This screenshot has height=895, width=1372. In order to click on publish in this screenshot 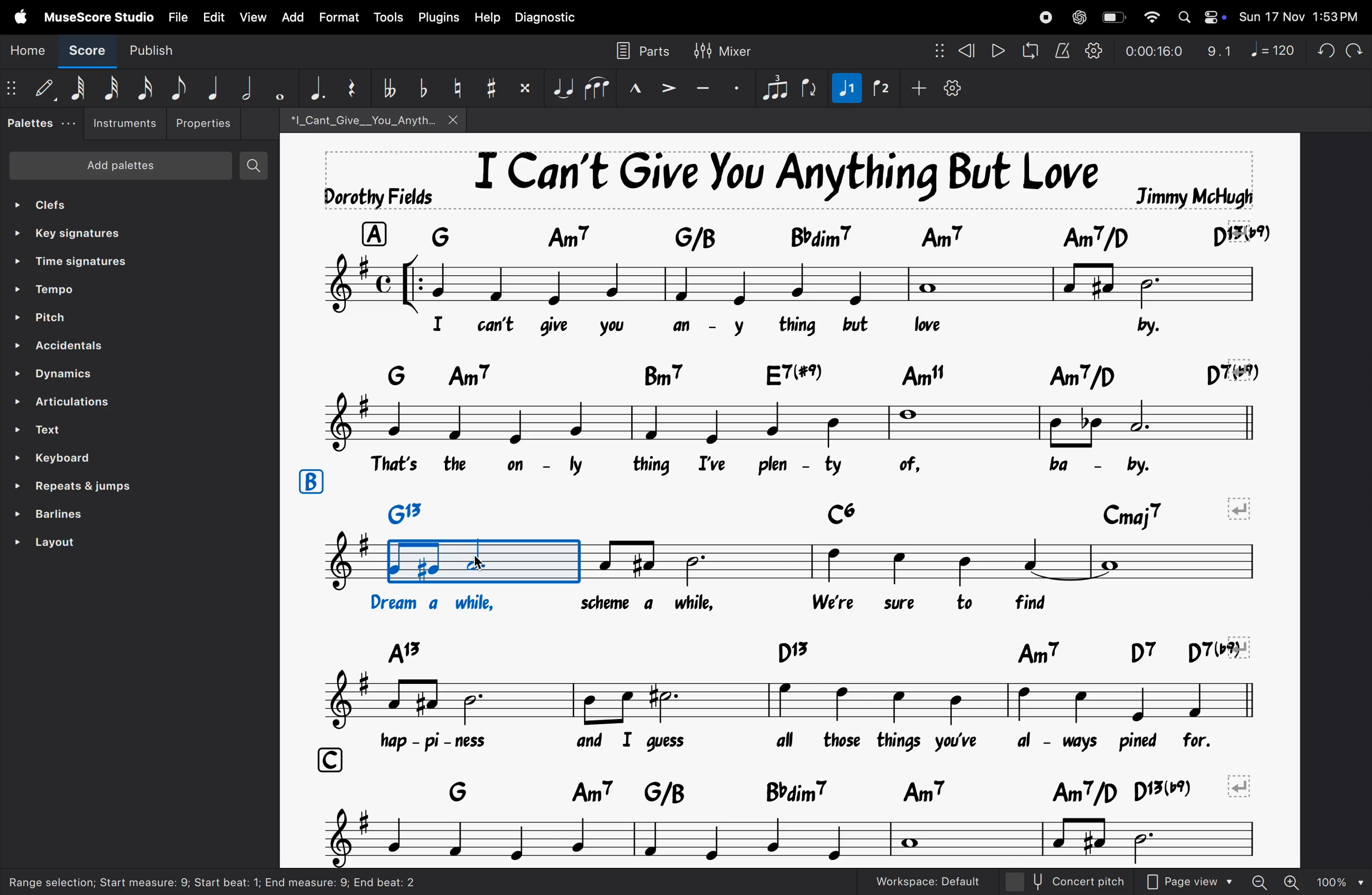, I will do `click(169, 52)`.